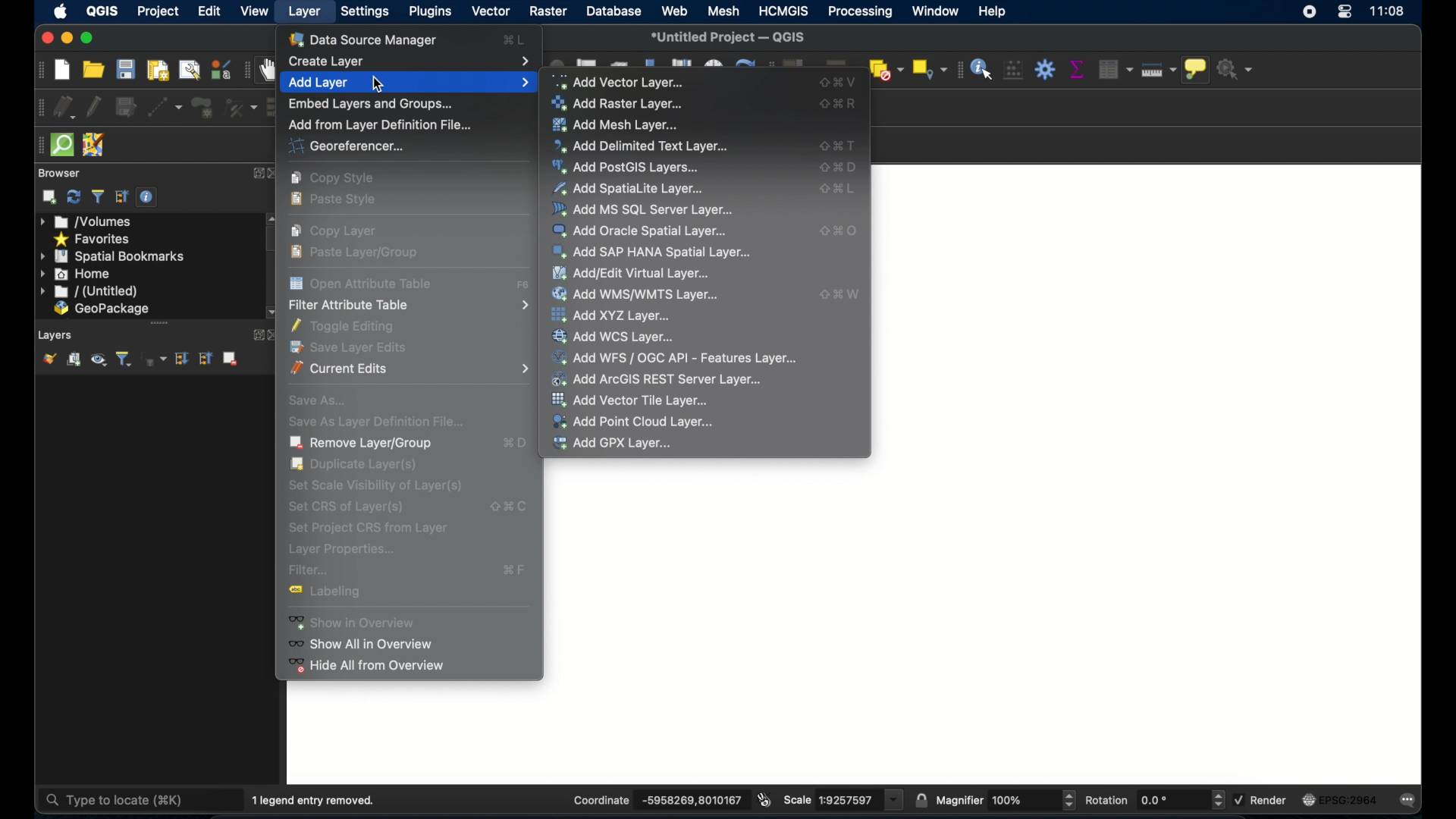 The height and width of the screenshot is (819, 1456). Describe the element at coordinates (629, 168) in the screenshot. I see `add postgis layers` at that location.